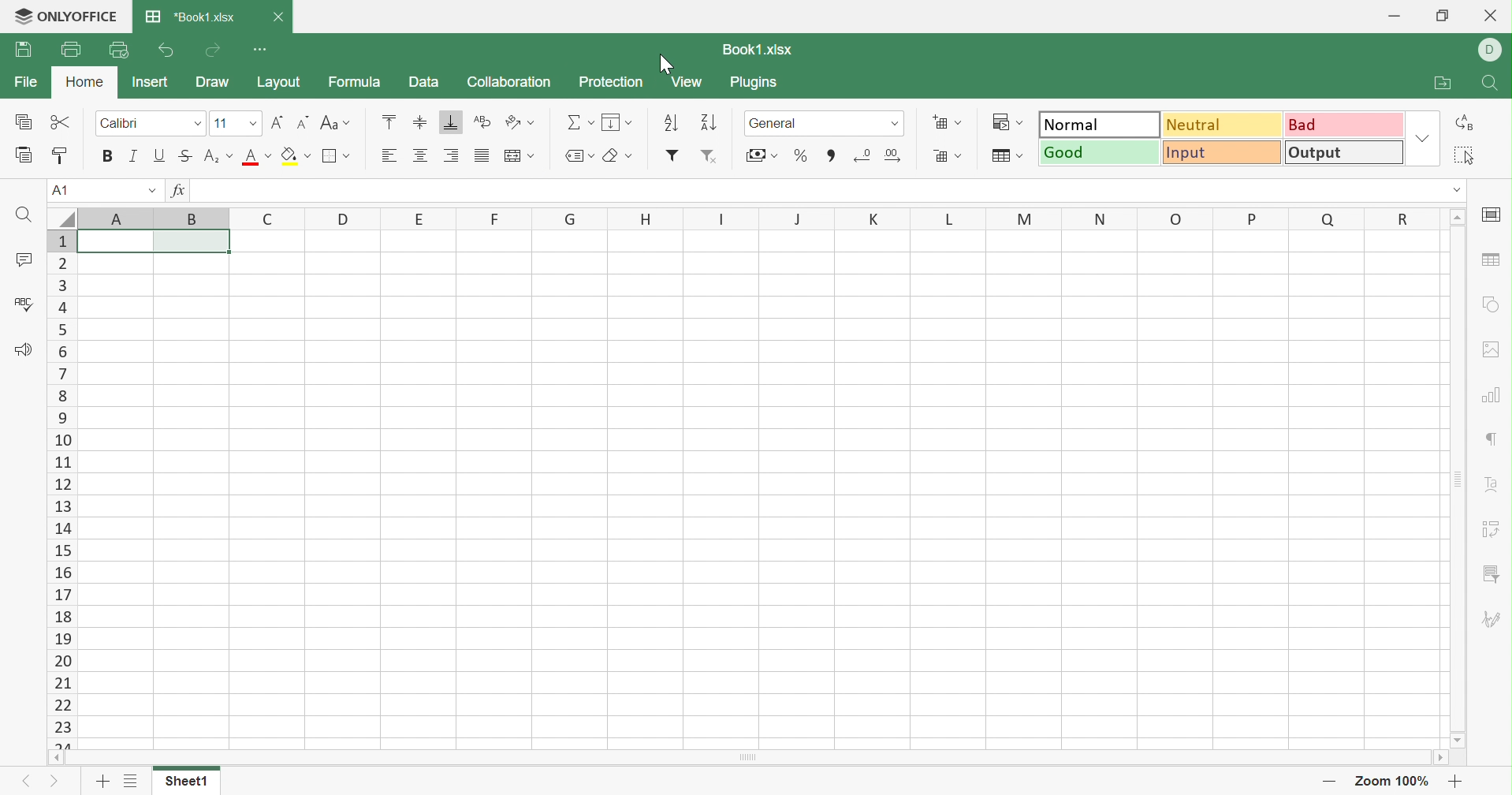  Describe the element at coordinates (359, 84) in the screenshot. I see `Formula` at that location.